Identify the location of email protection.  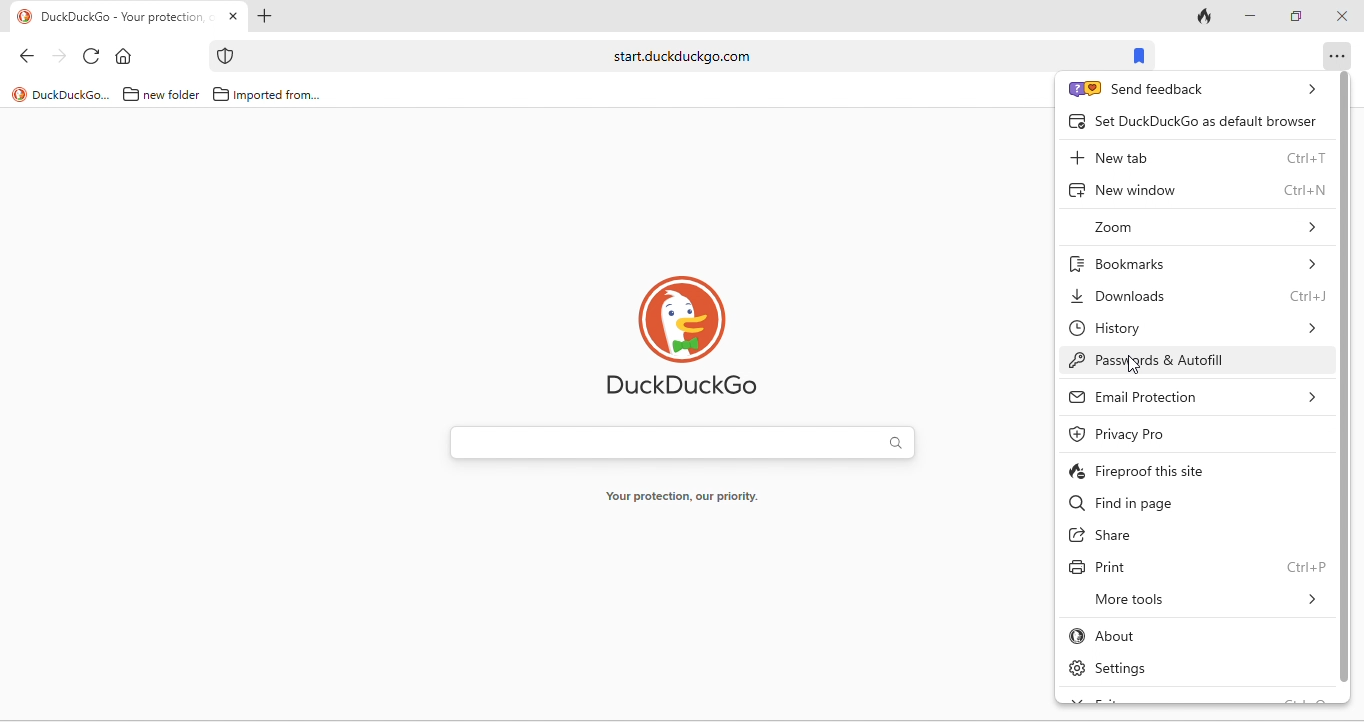
(1197, 398).